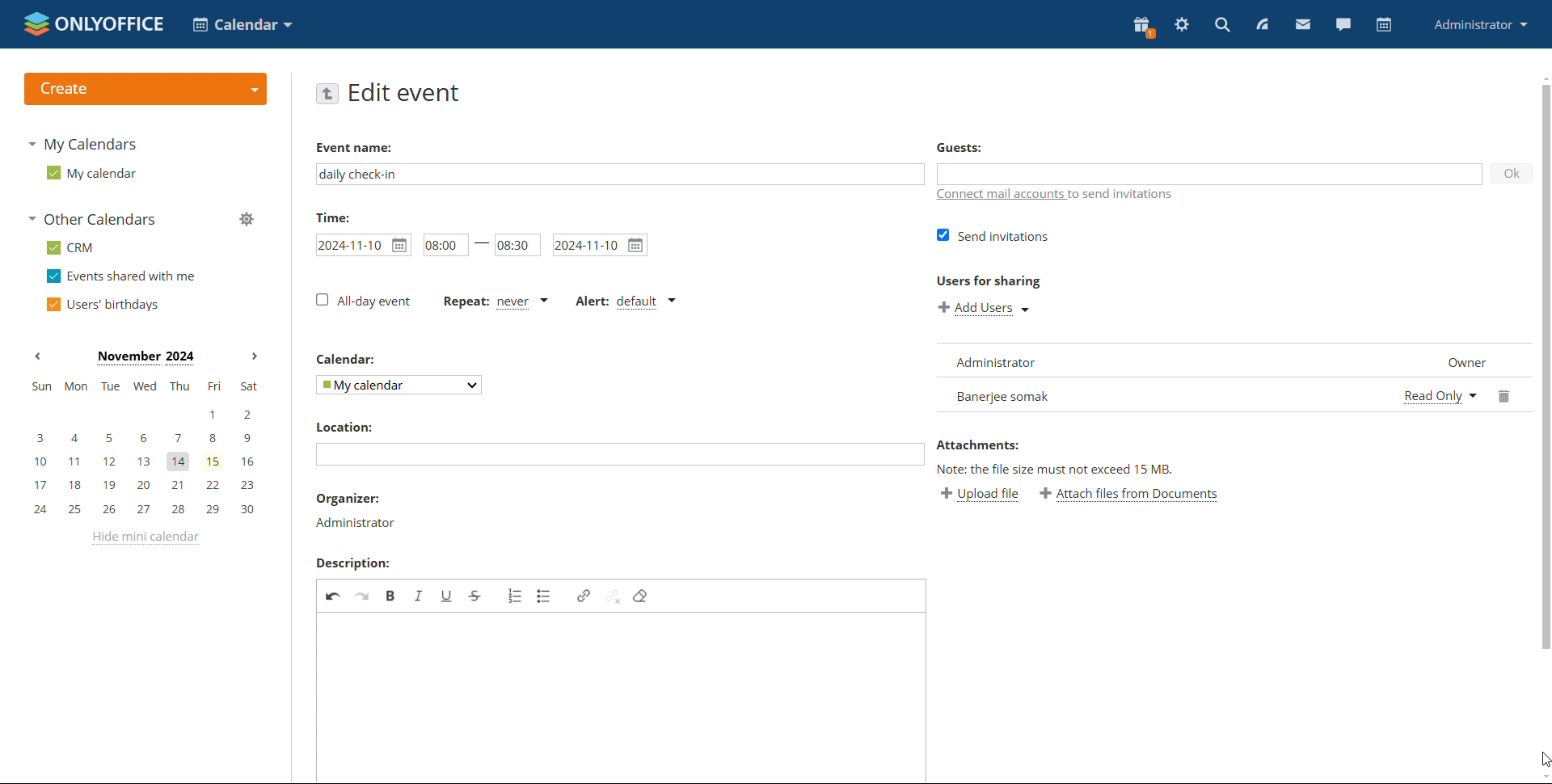  What do you see at coordinates (441, 246) in the screenshot?
I see `start time` at bounding box center [441, 246].